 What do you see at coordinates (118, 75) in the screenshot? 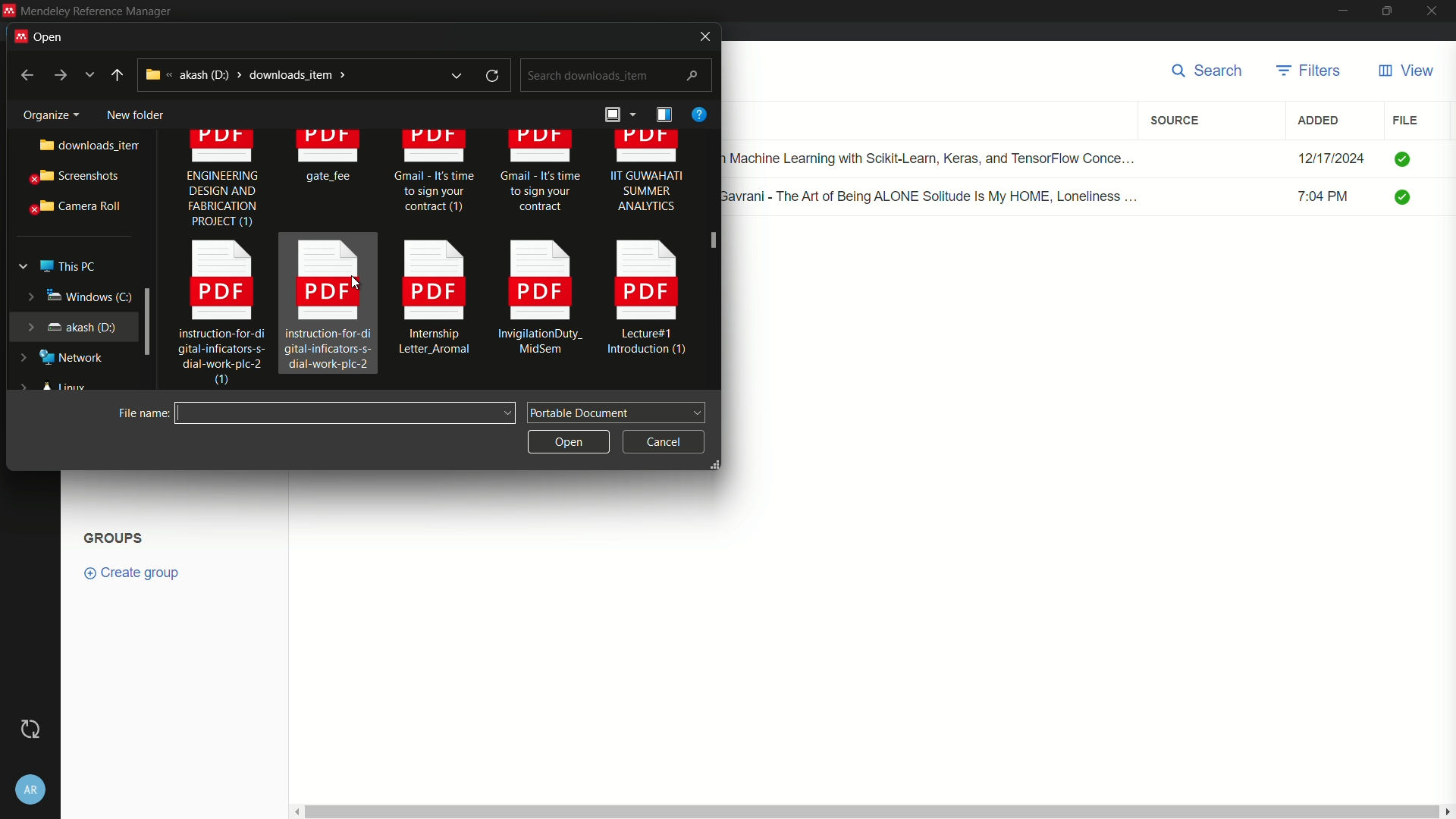
I see `up to` at bounding box center [118, 75].